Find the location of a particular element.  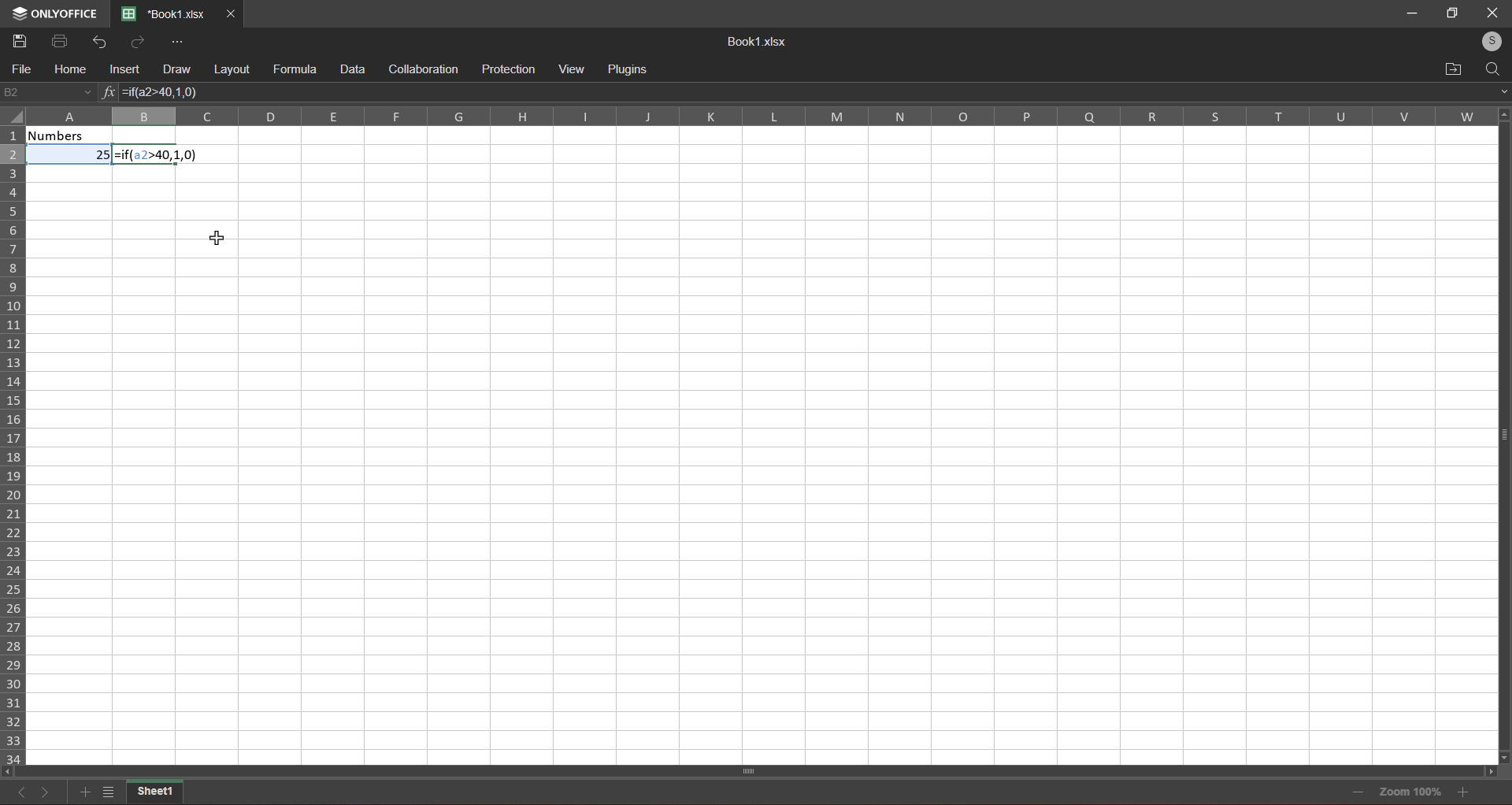

zoom in is located at coordinates (1464, 793).